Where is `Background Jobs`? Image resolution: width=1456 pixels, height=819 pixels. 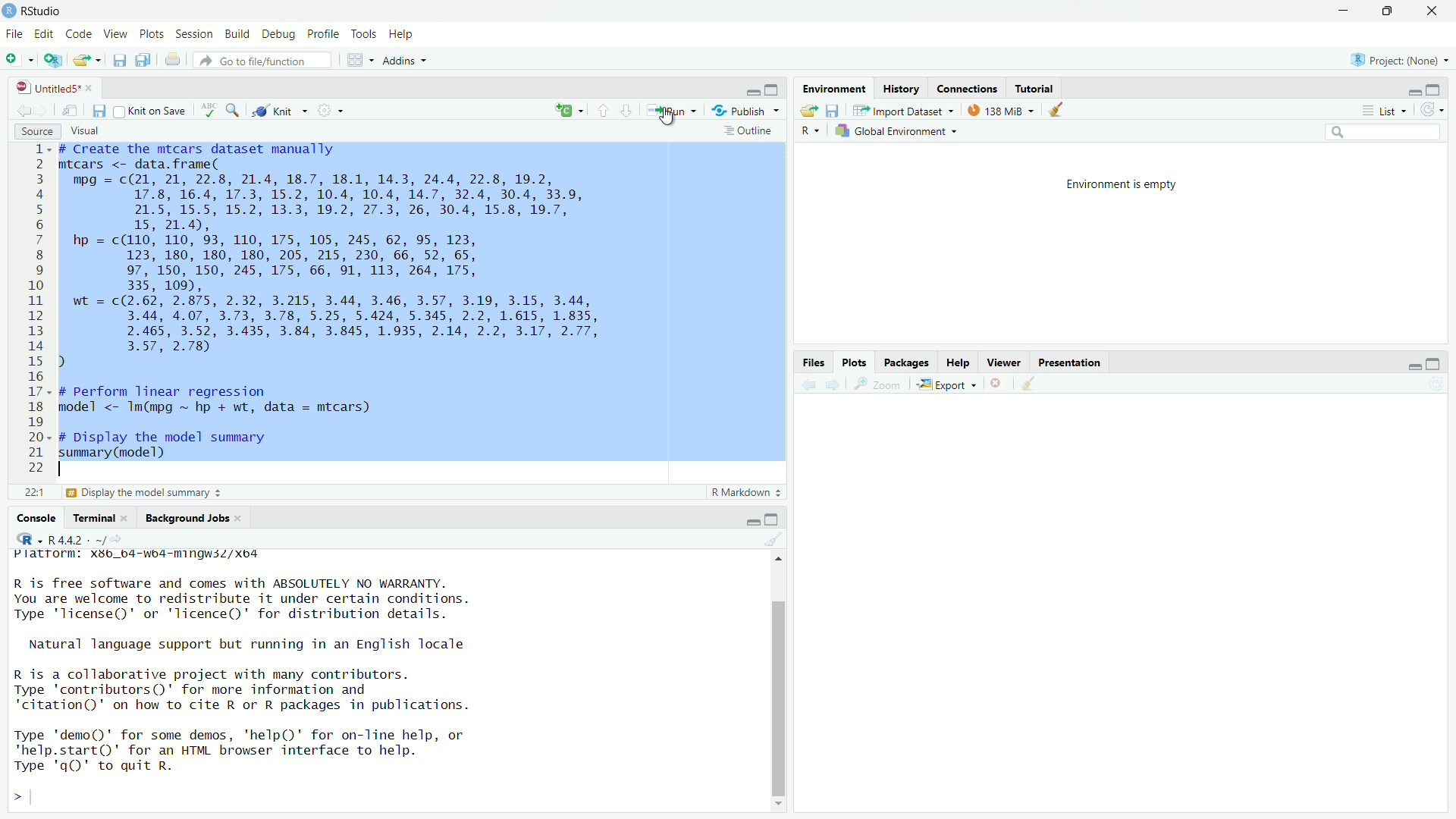
Background Jobs is located at coordinates (189, 519).